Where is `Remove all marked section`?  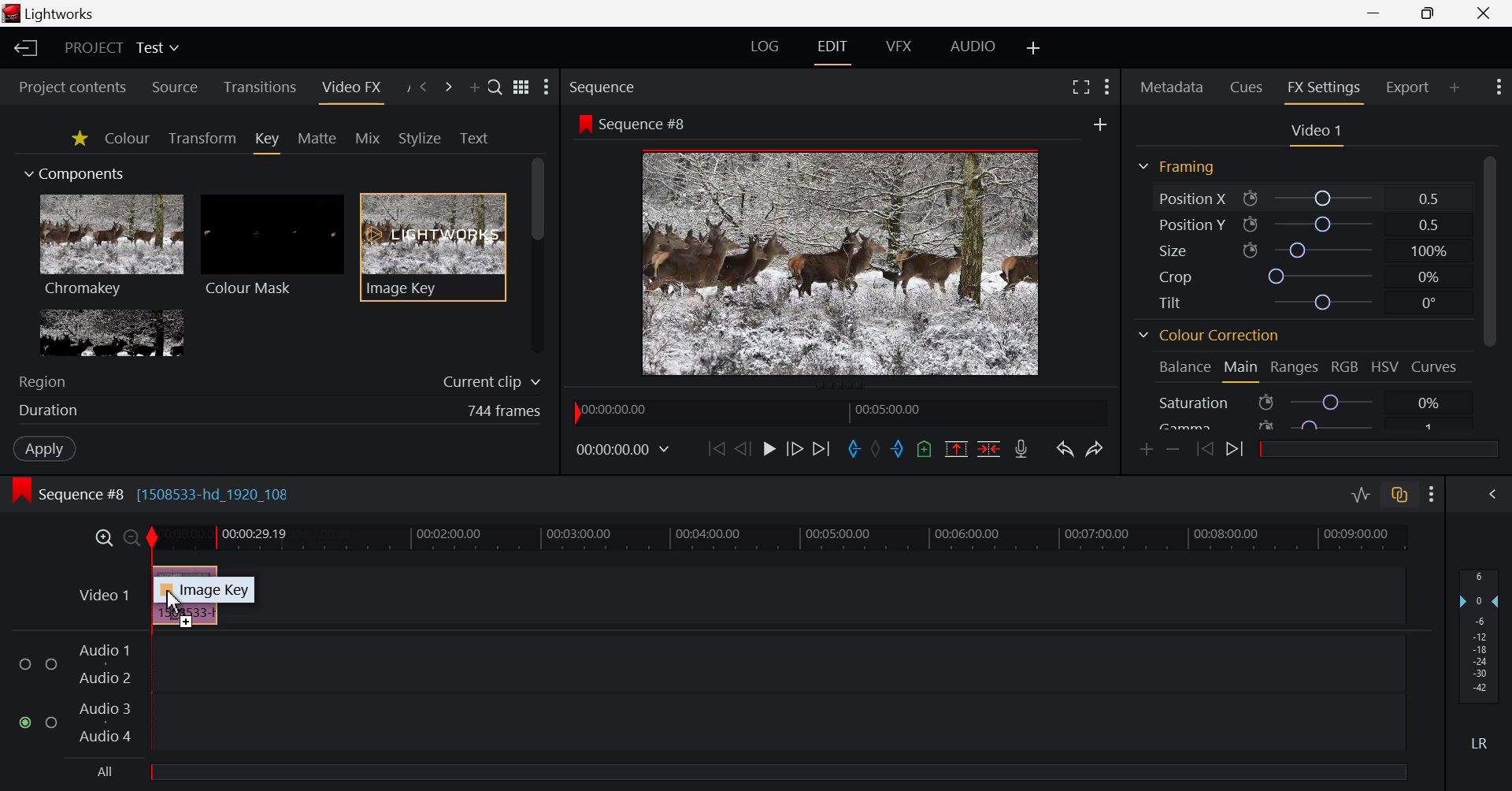
Remove all marked section is located at coordinates (956, 450).